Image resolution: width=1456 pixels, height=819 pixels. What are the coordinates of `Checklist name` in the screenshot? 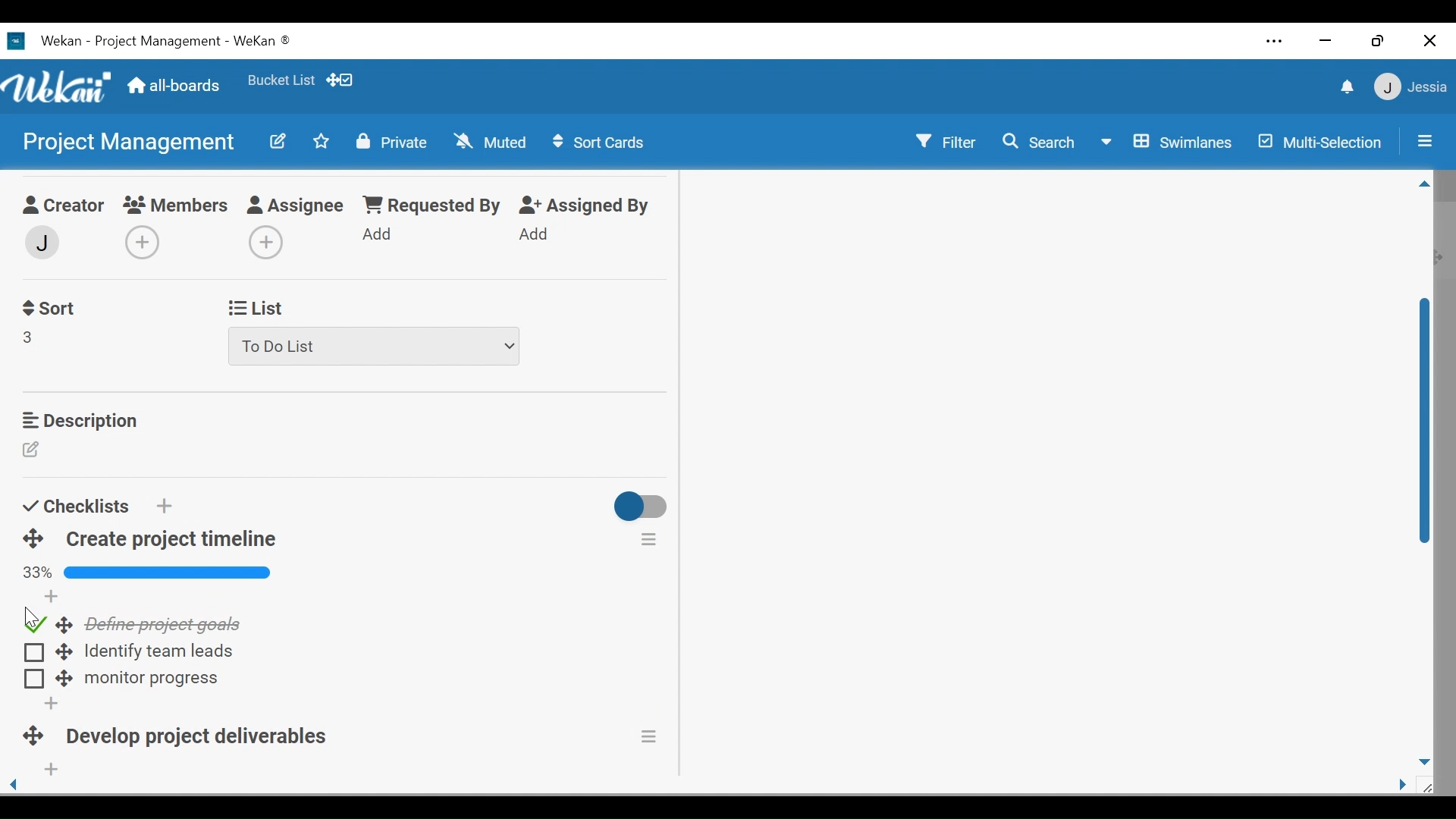 It's located at (206, 733).